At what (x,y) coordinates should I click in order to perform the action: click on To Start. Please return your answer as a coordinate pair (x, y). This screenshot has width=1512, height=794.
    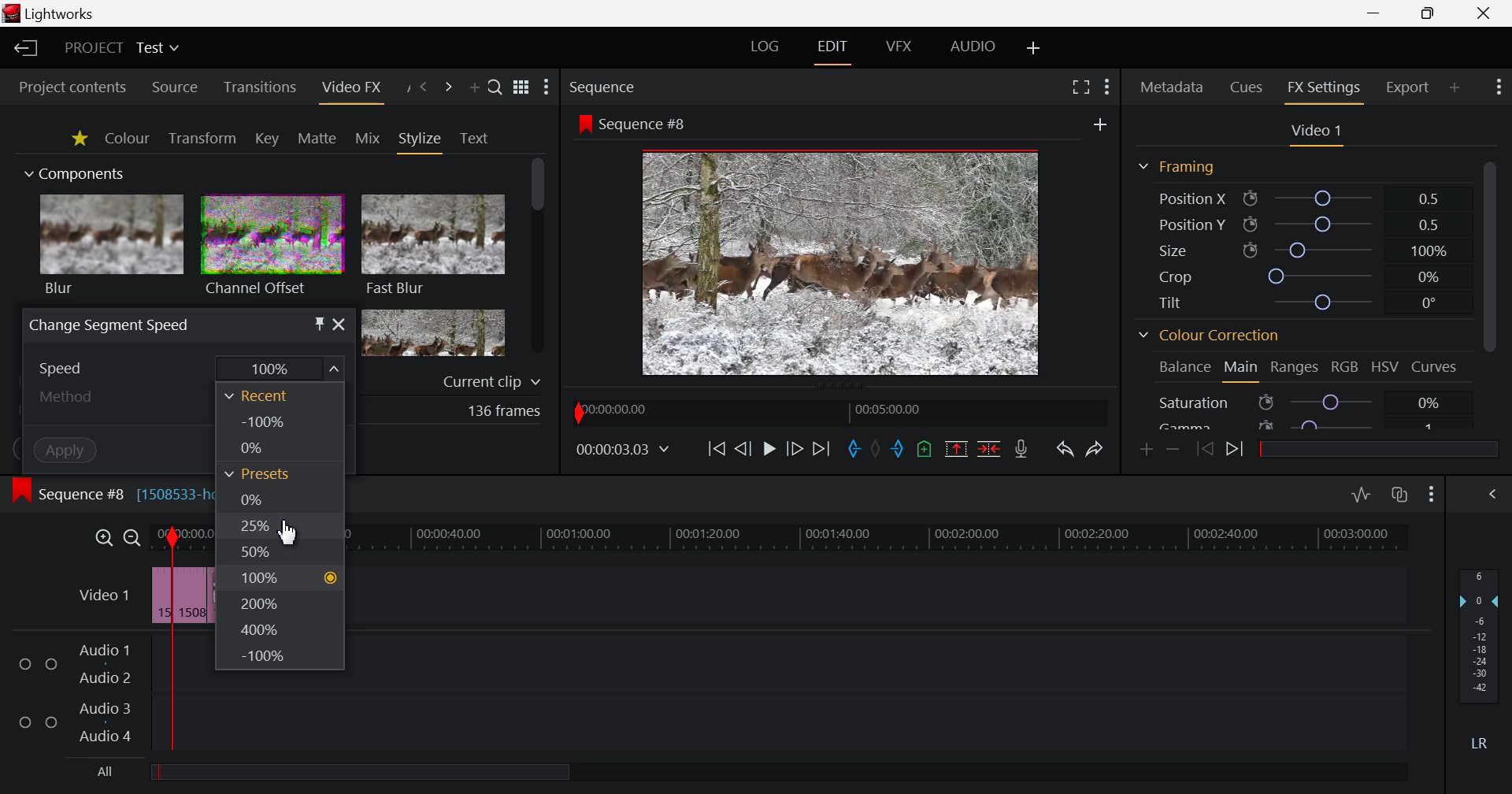
    Looking at the image, I should click on (717, 449).